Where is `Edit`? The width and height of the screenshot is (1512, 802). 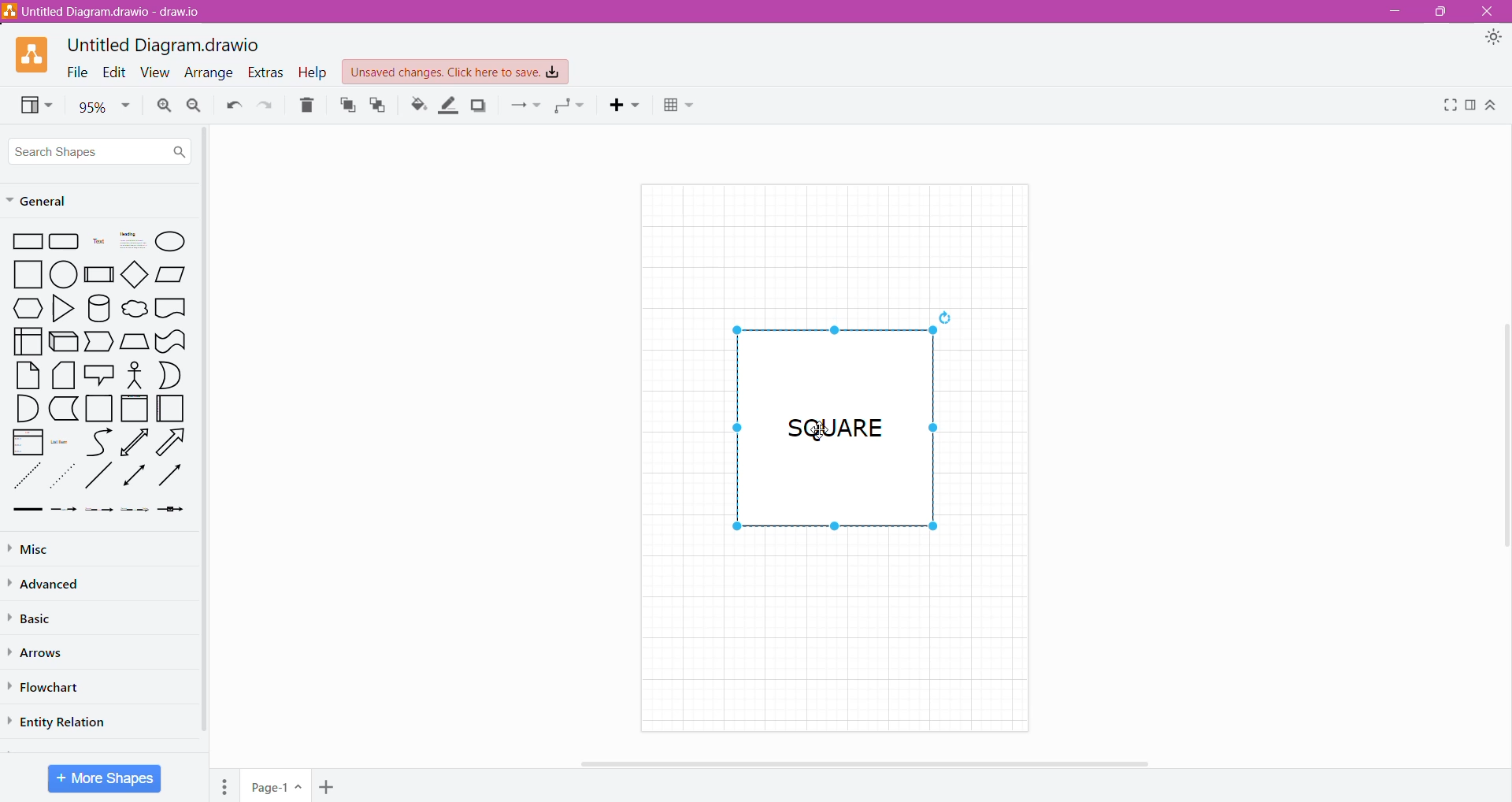
Edit is located at coordinates (117, 72).